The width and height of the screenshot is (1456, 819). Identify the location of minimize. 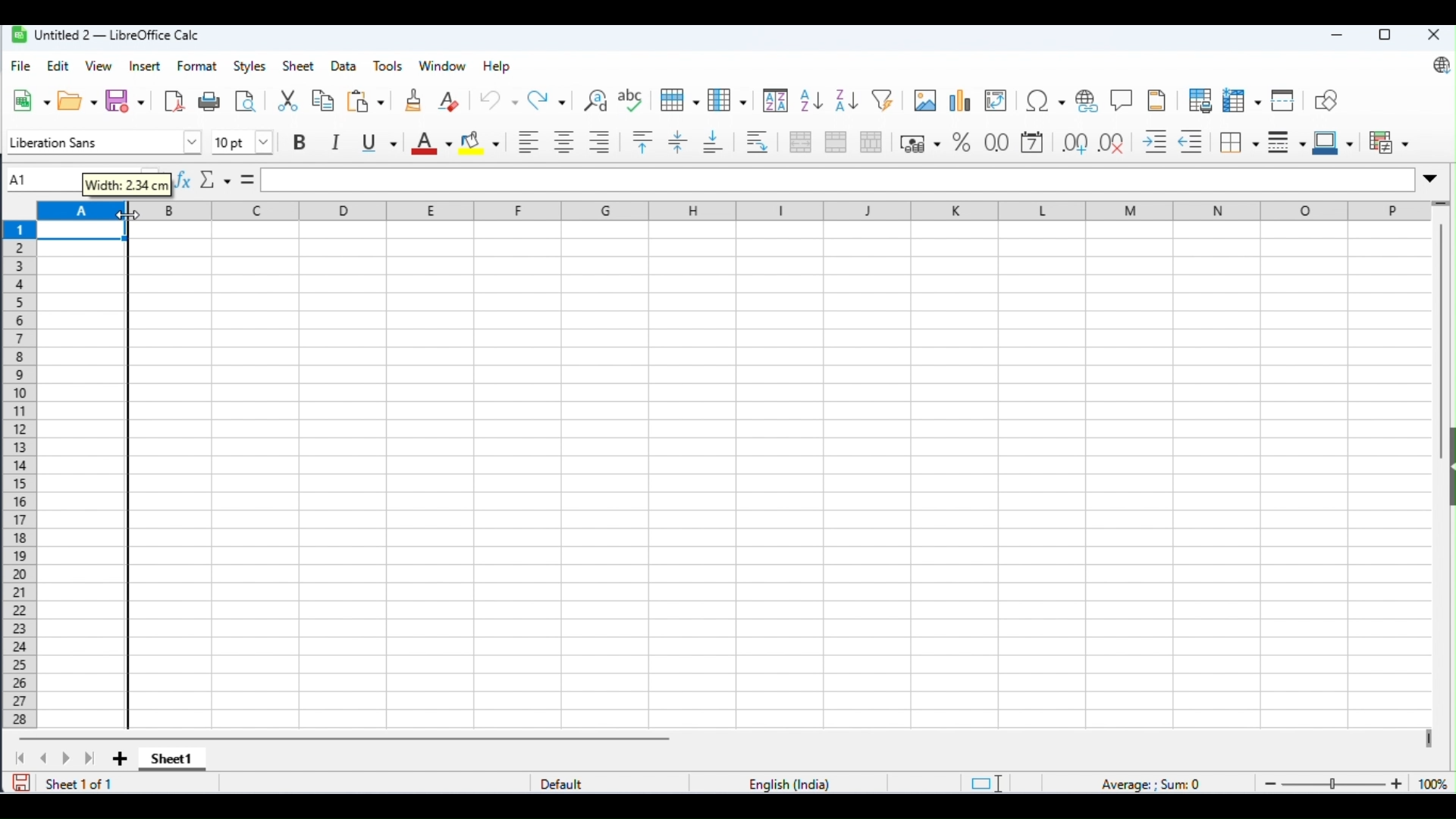
(1335, 36).